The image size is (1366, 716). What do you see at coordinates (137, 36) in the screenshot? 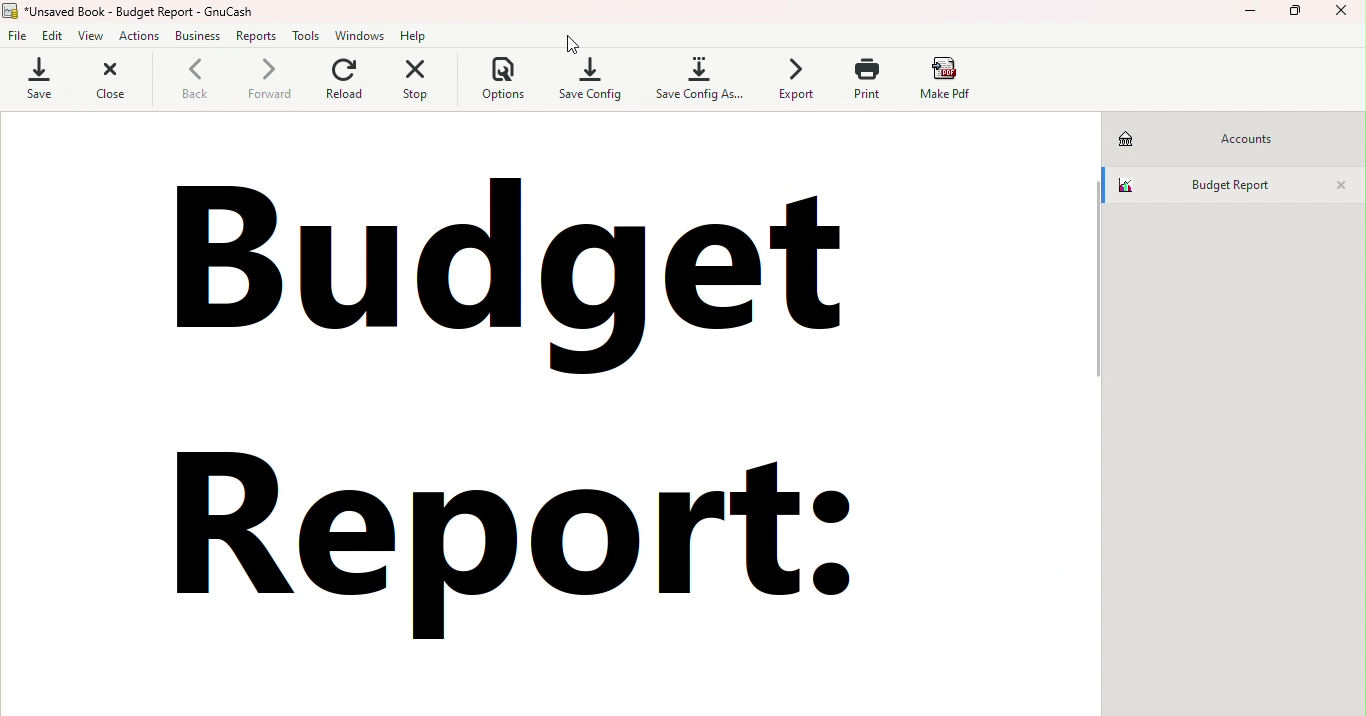
I see `Actions` at bounding box center [137, 36].